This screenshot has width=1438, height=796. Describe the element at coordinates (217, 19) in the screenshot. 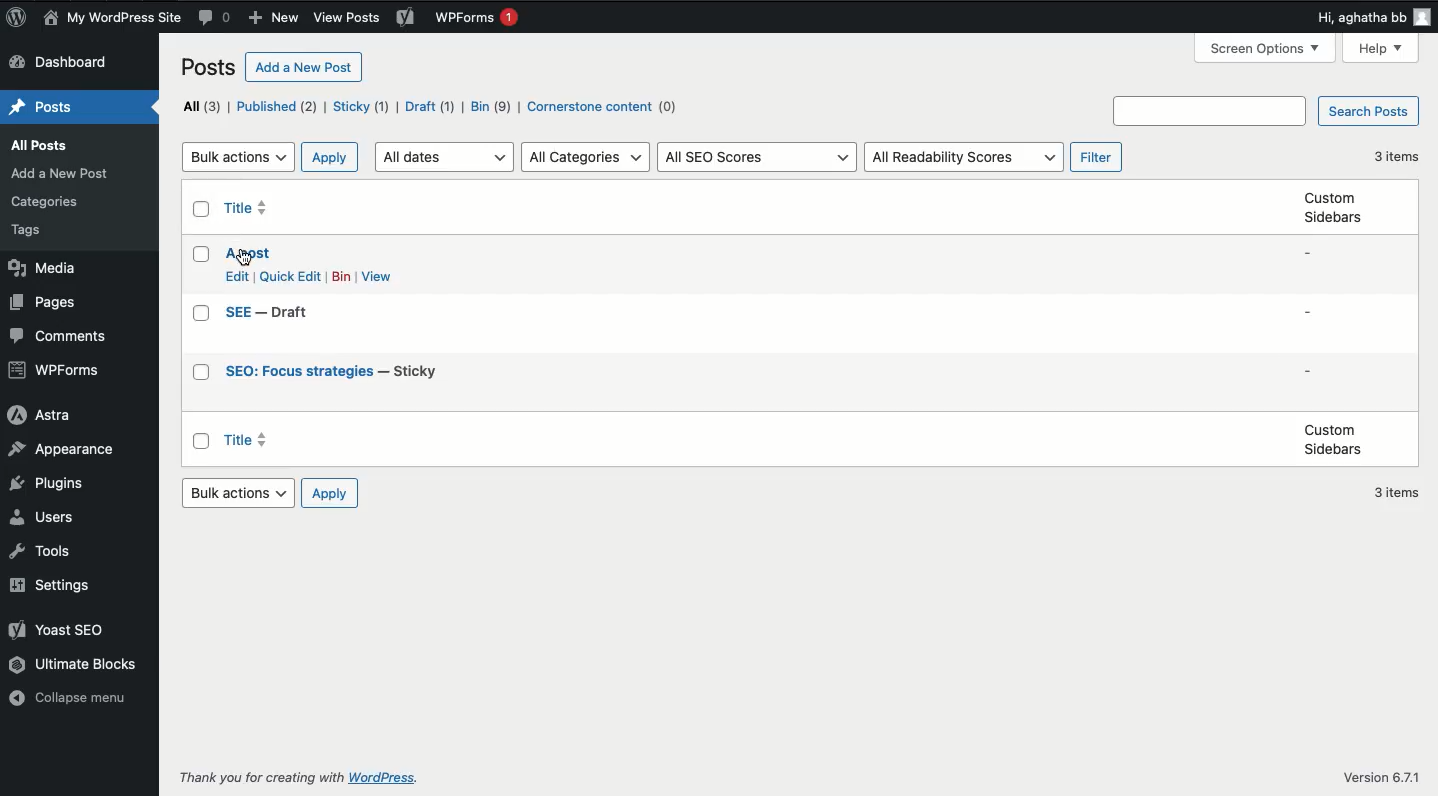

I see `Comments` at that location.